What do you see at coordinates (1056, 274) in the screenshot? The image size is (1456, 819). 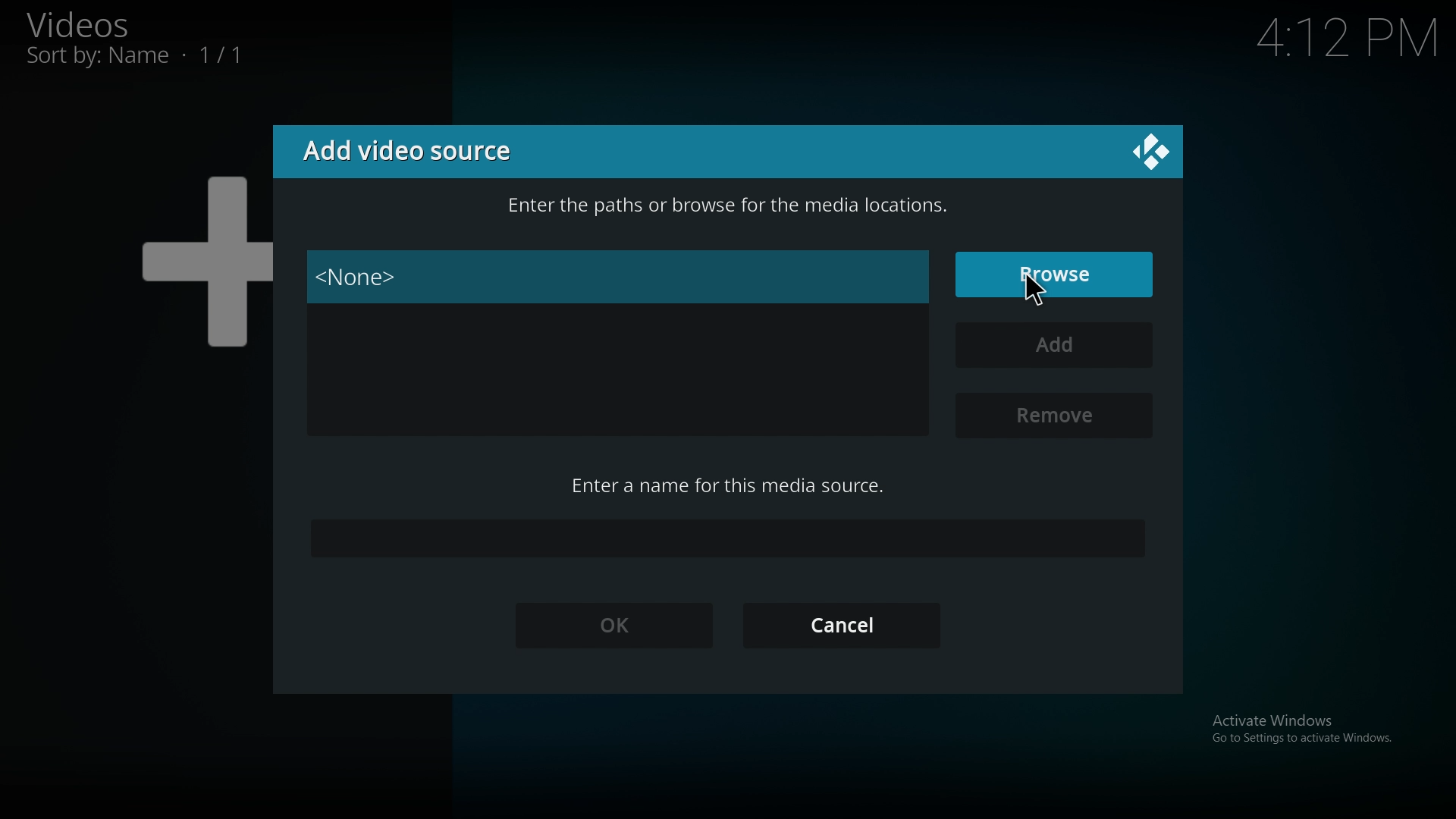 I see `browse` at bounding box center [1056, 274].